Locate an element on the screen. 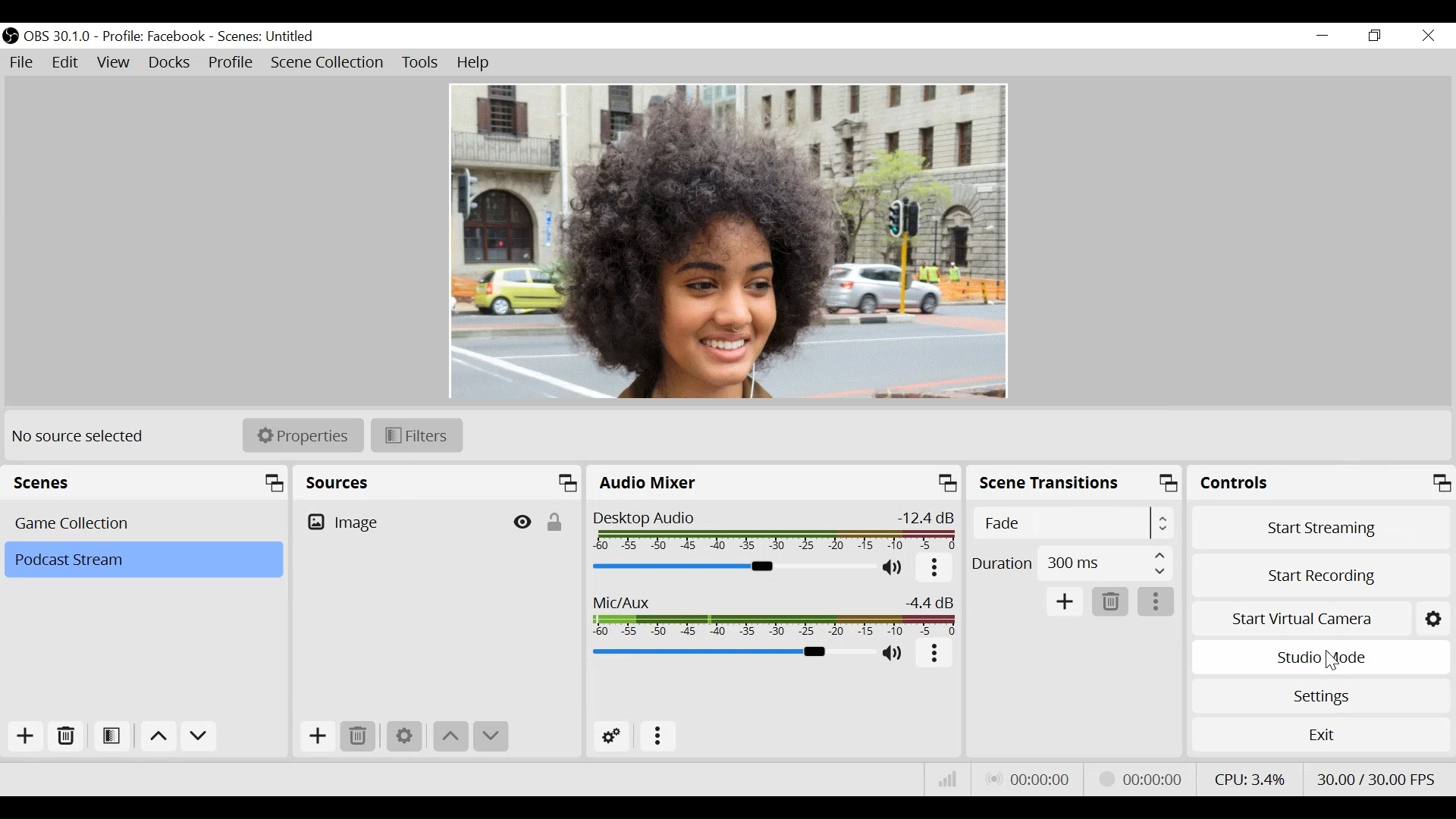 Image resolution: width=1456 pixels, height=819 pixels. Desktop Audio Slider is located at coordinates (730, 567).